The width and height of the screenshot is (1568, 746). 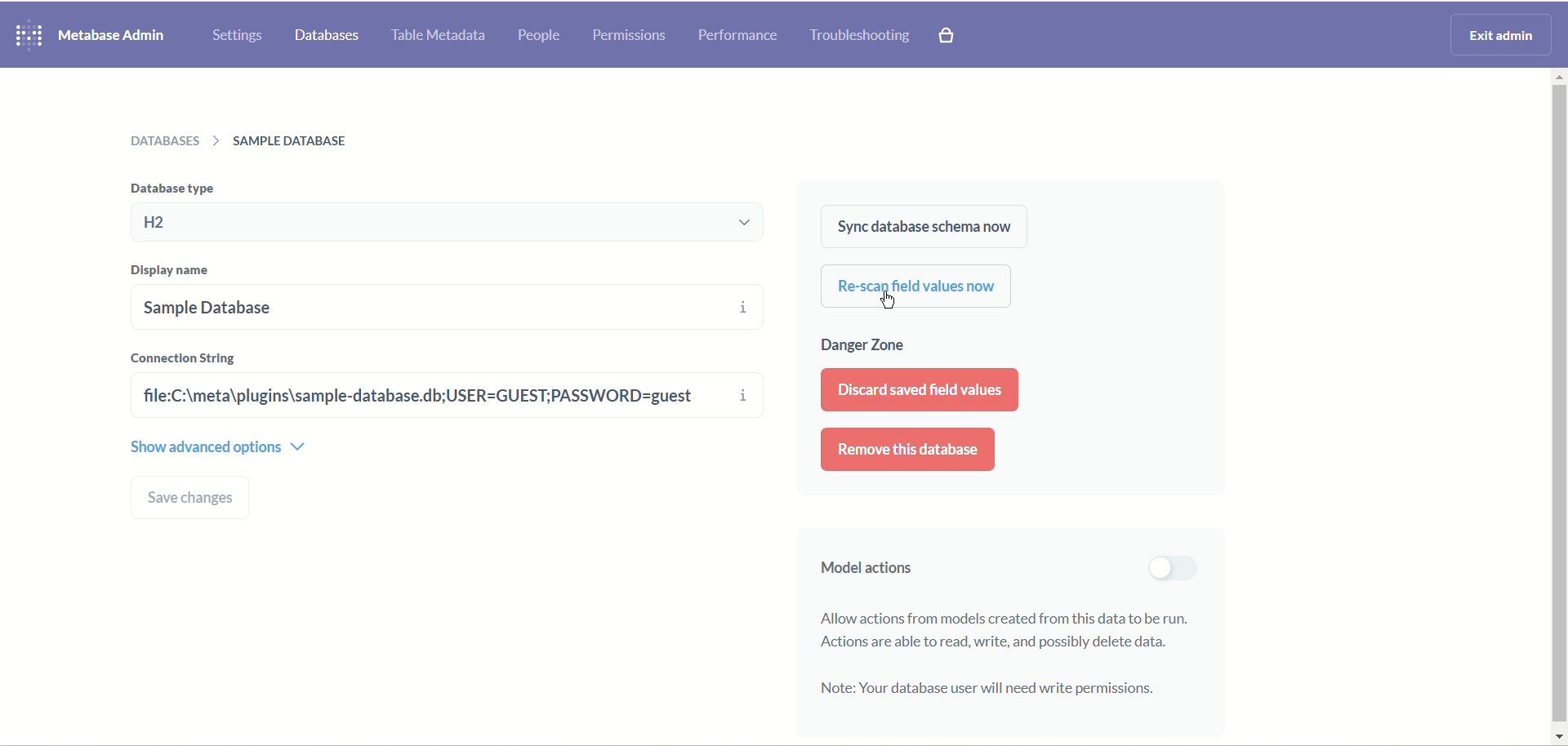 What do you see at coordinates (185, 357) in the screenshot?
I see `connection string` at bounding box center [185, 357].